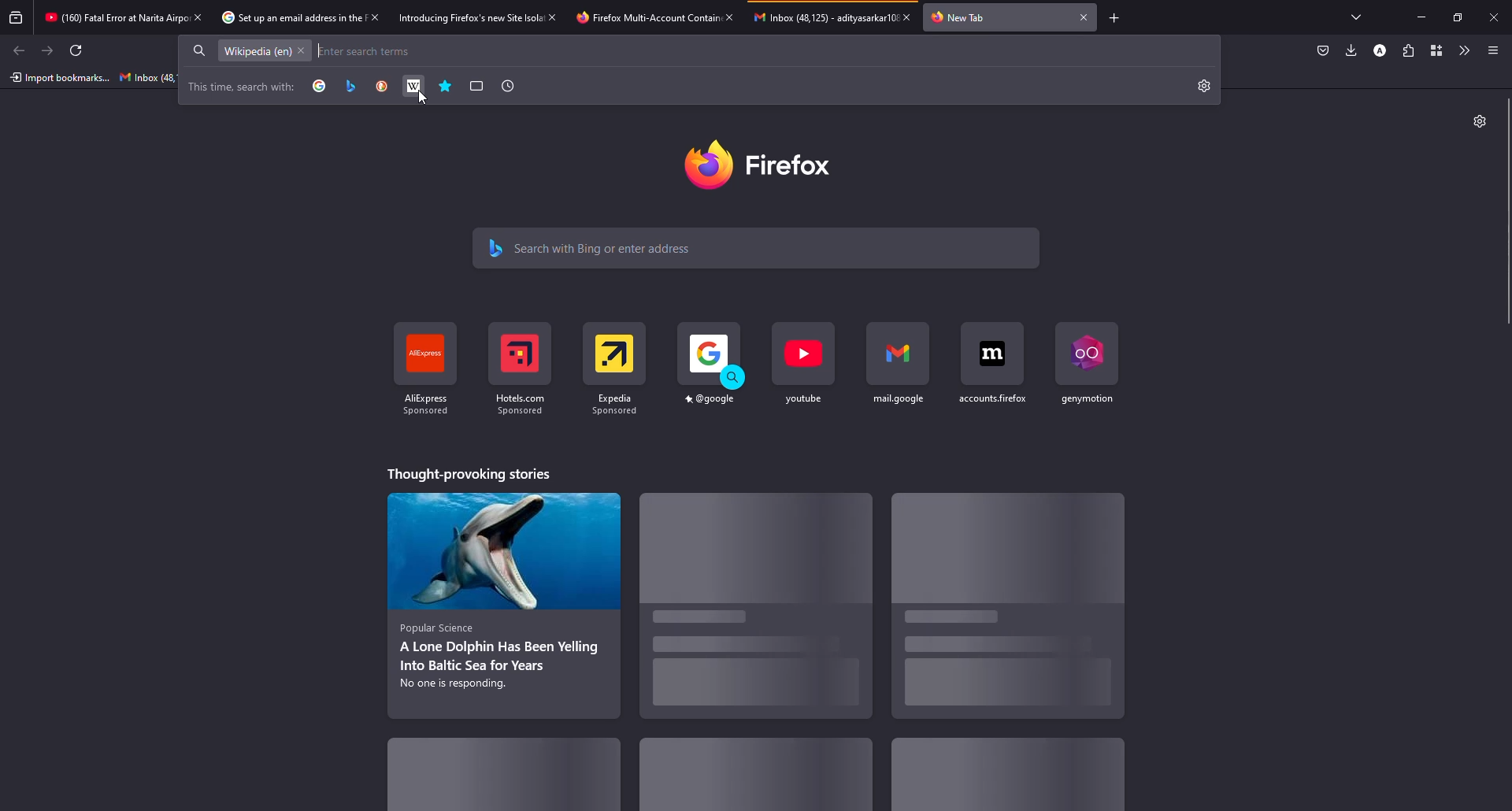 The image size is (1512, 811). I want to click on tab, so click(280, 18).